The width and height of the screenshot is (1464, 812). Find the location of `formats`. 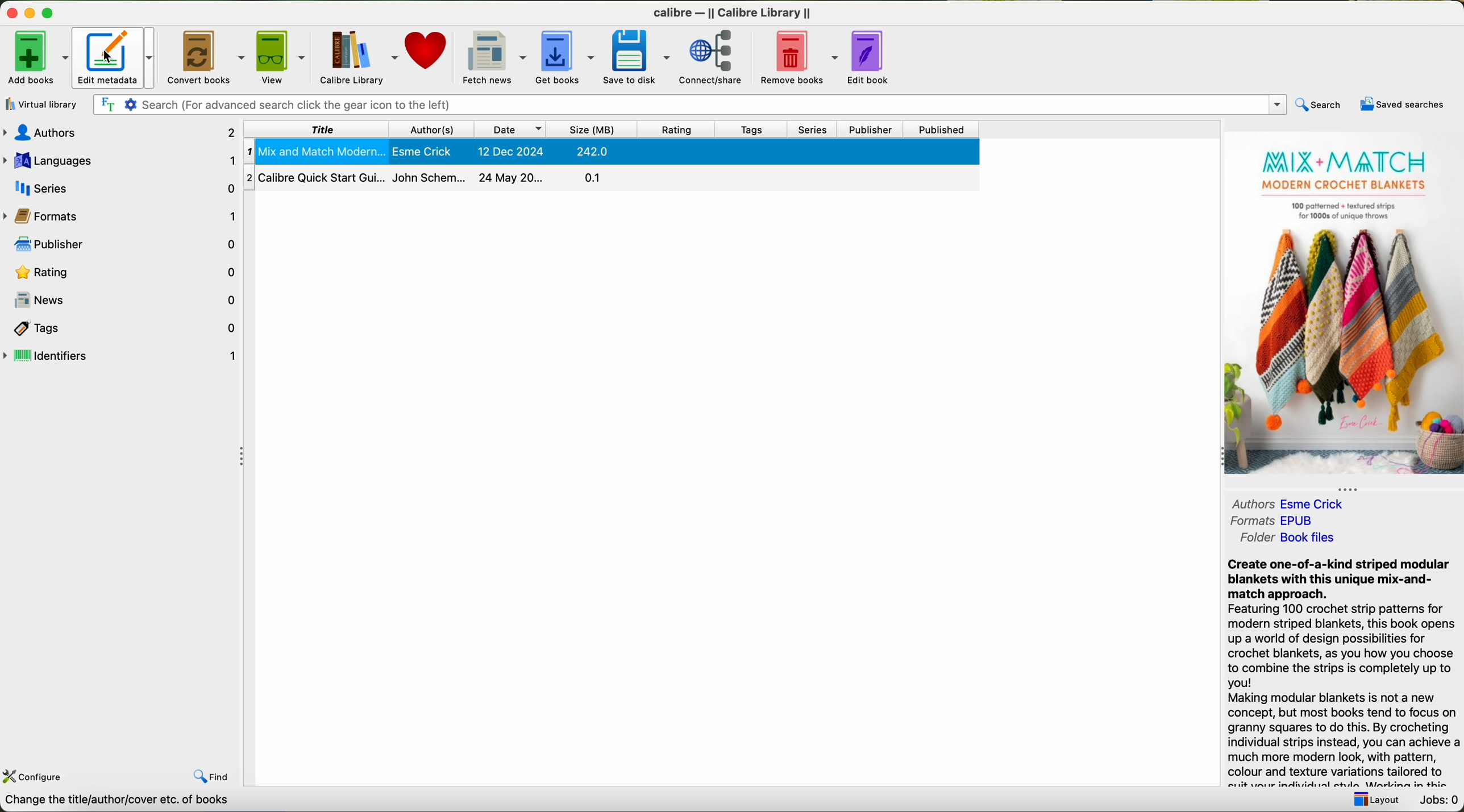

formats is located at coordinates (121, 217).